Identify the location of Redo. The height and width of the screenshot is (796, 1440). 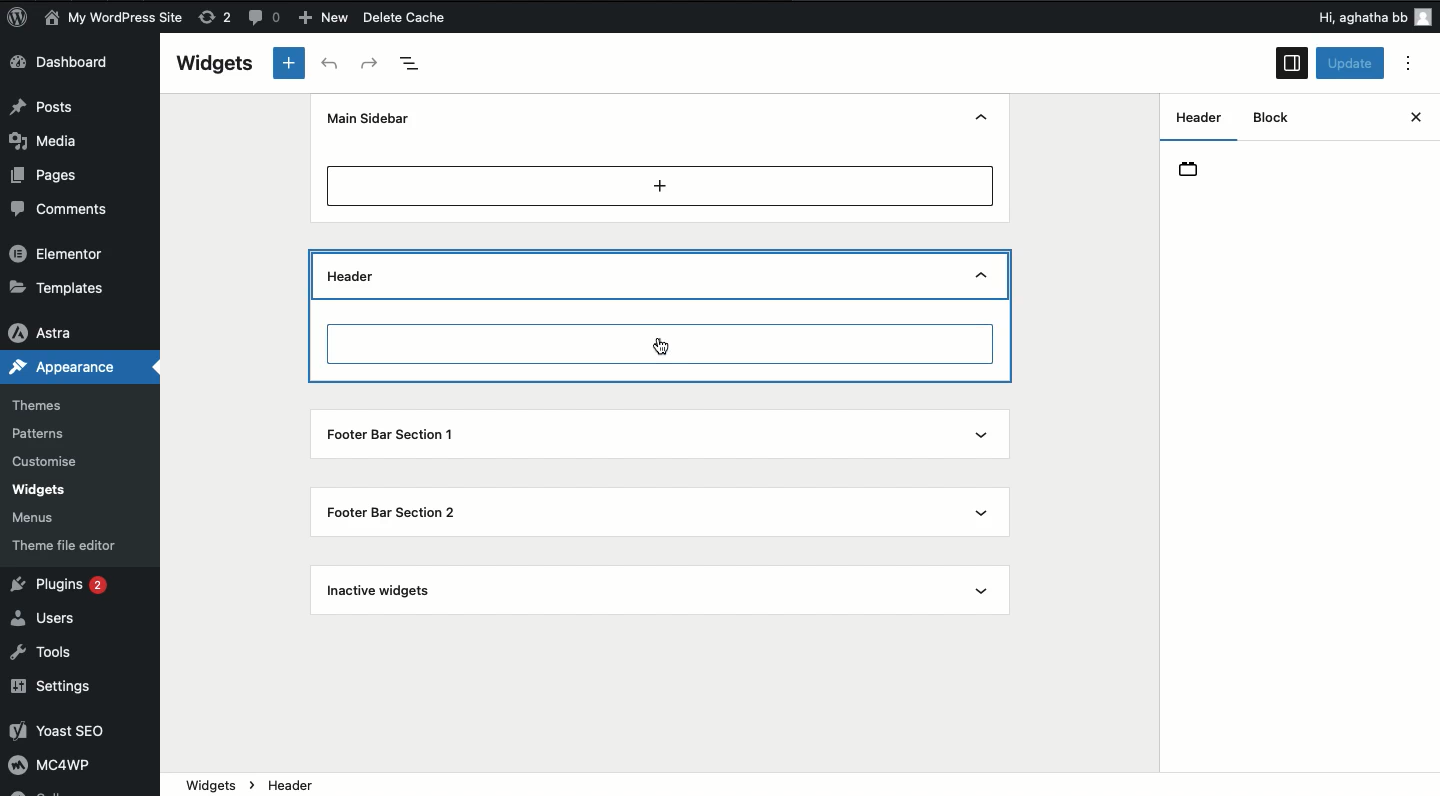
(370, 63).